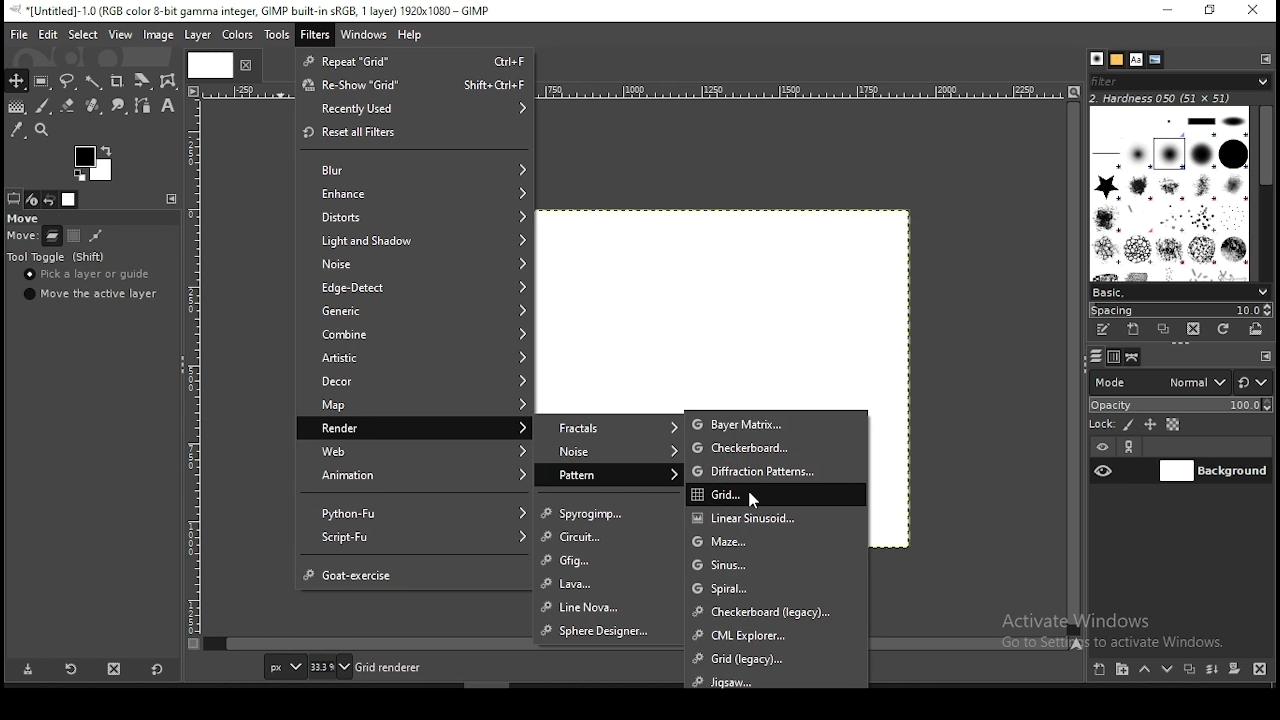 Image resolution: width=1280 pixels, height=720 pixels. I want to click on fractals, so click(610, 426).